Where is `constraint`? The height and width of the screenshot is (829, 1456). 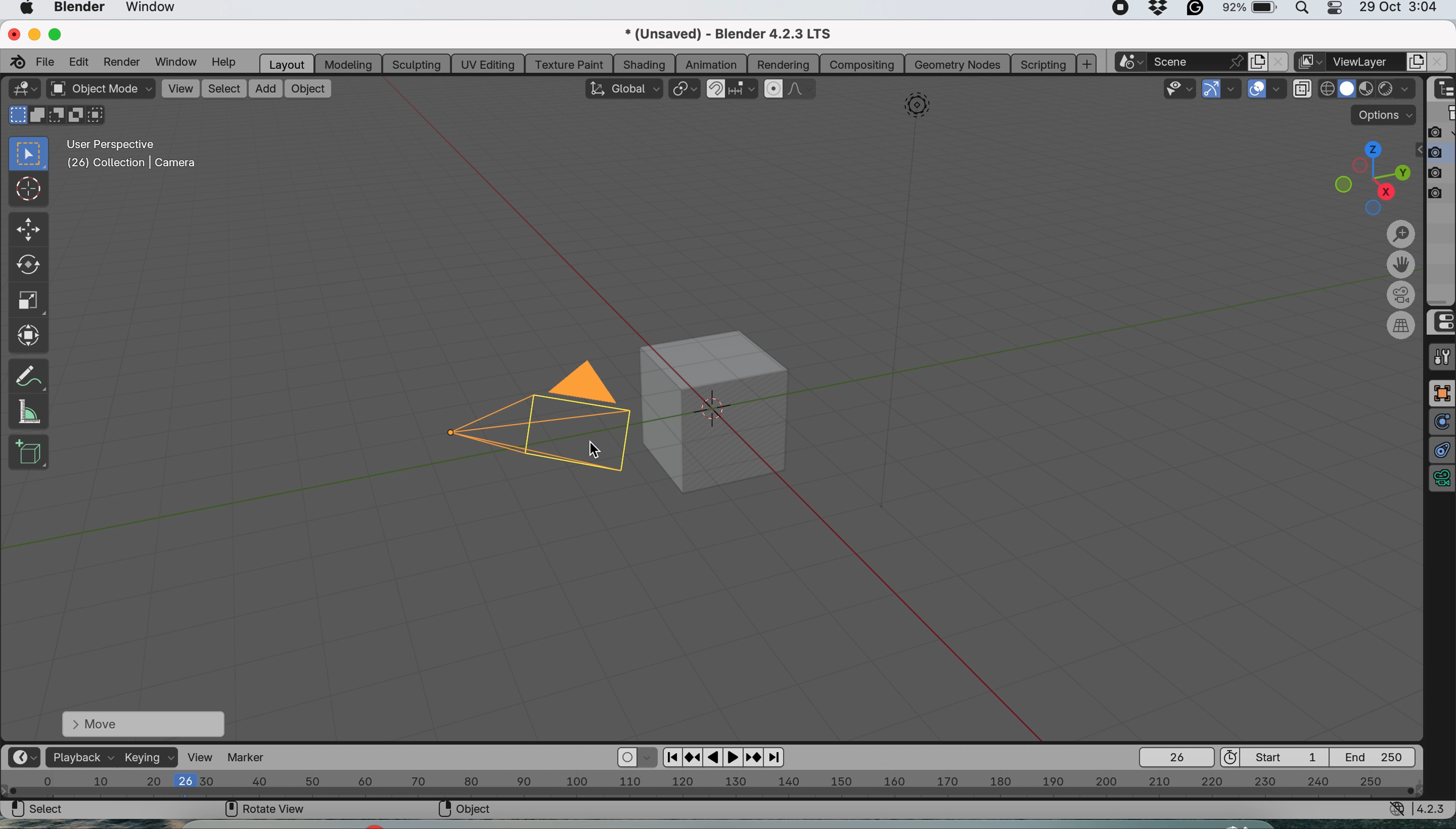
constraint is located at coordinates (1441, 451).